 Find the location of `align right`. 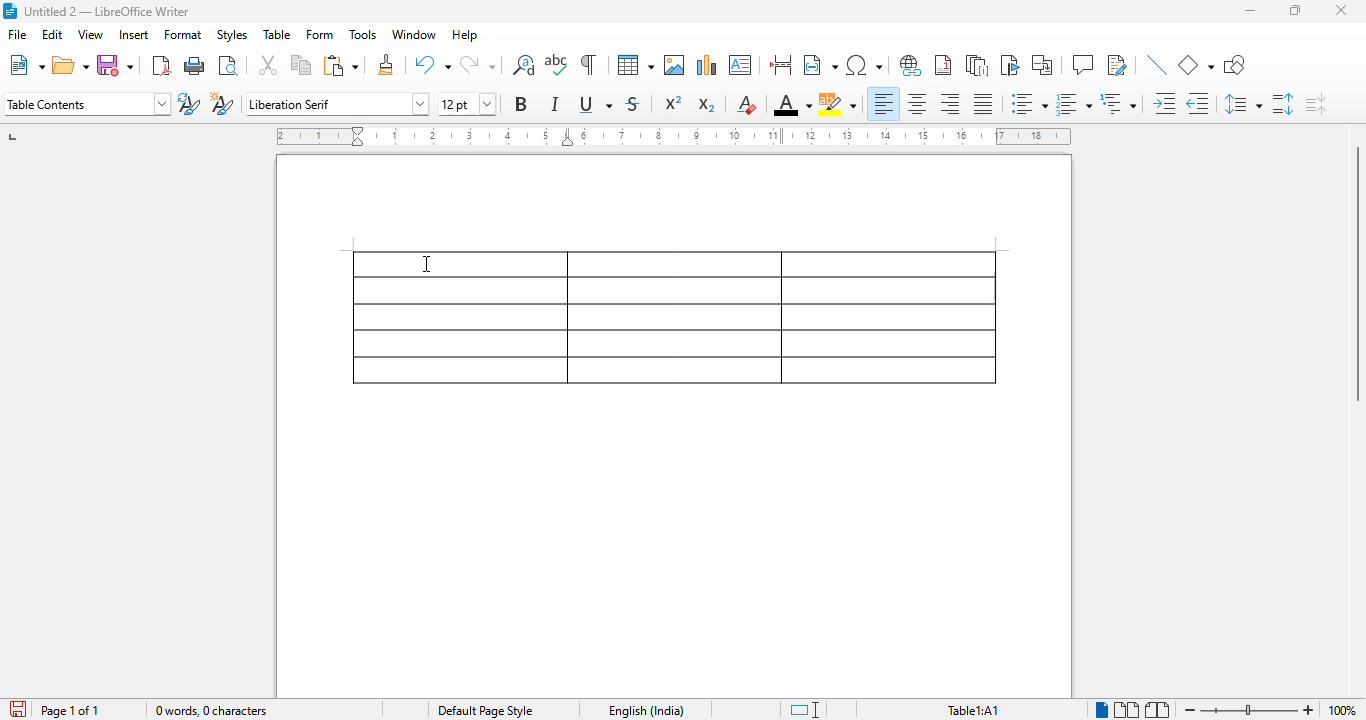

align right is located at coordinates (948, 103).